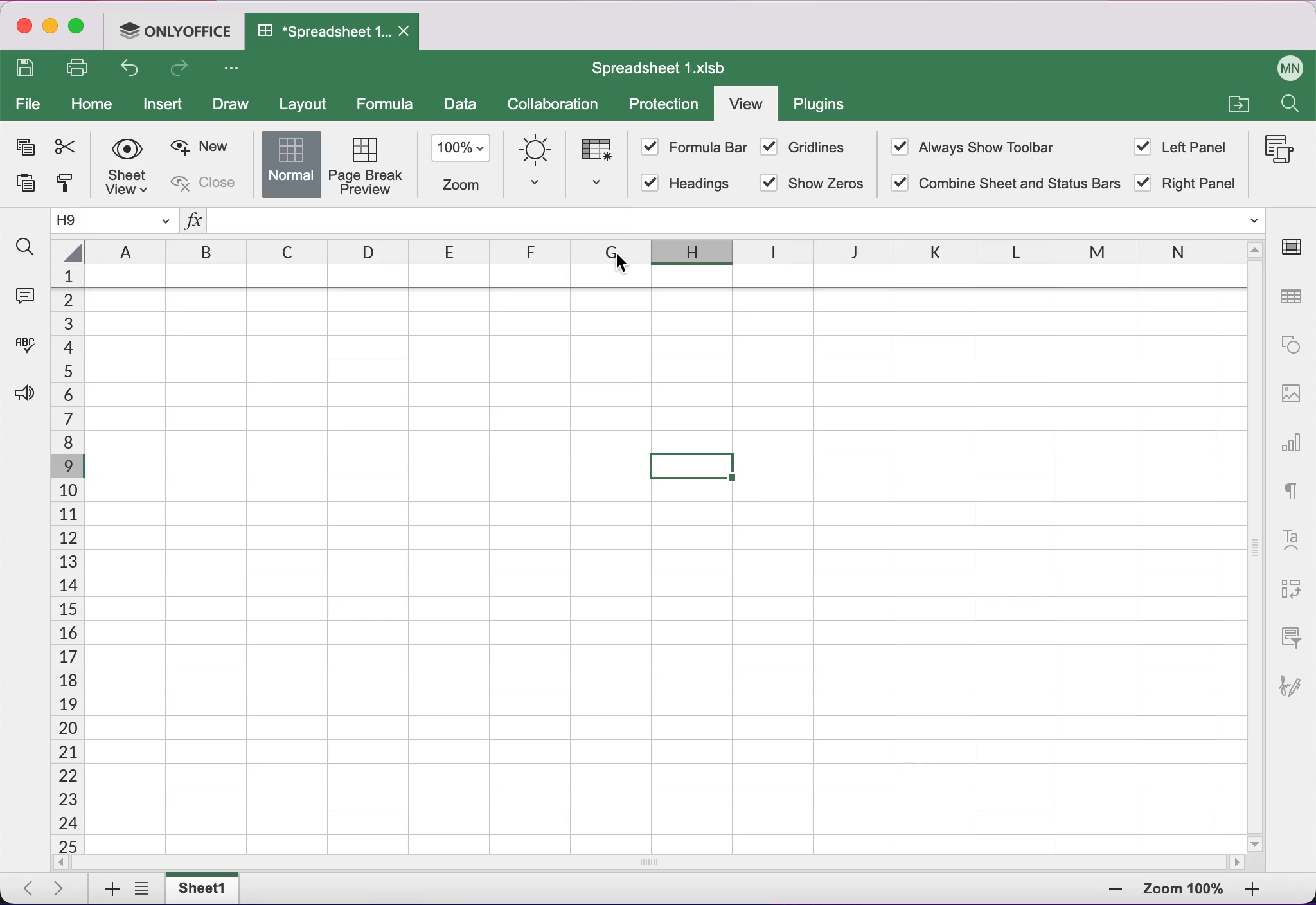 The image size is (1316, 905). I want to click on spreadsheet tab, so click(334, 32).